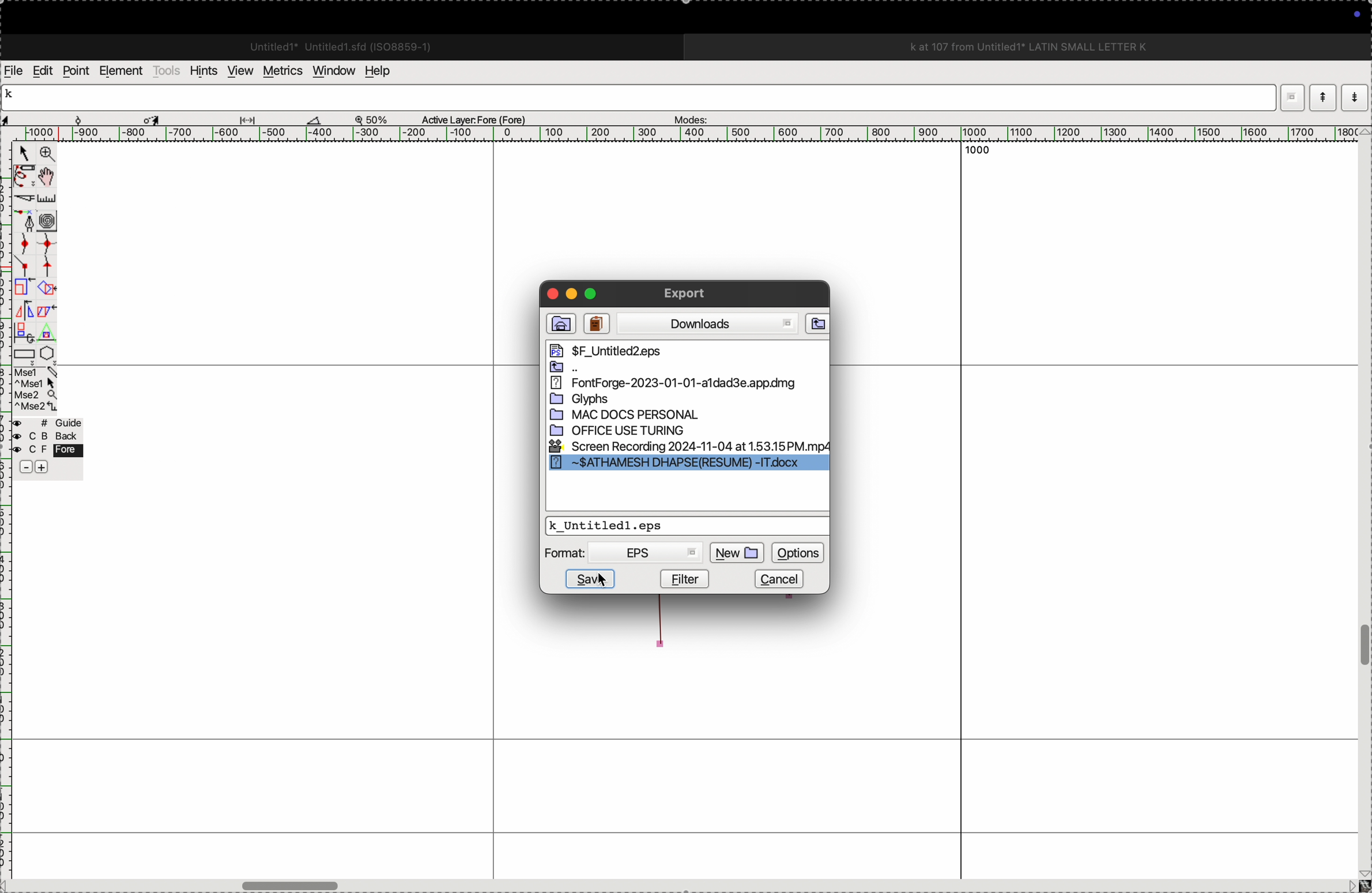 The height and width of the screenshot is (893, 1372). Describe the element at coordinates (708, 325) in the screenshot. I see `downloads` at that location.